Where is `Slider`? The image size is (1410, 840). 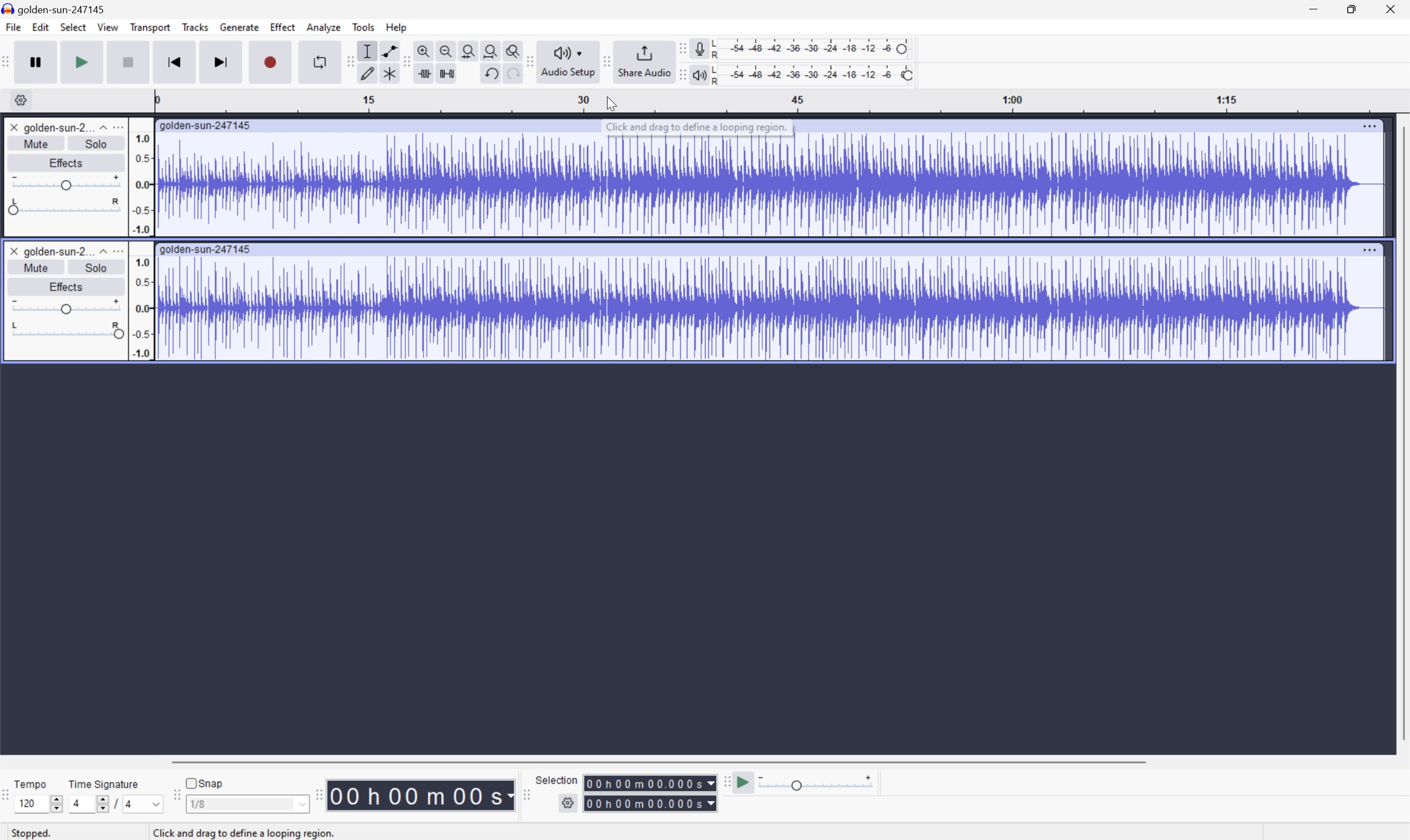
Slider is located at coordinates (67, 307).